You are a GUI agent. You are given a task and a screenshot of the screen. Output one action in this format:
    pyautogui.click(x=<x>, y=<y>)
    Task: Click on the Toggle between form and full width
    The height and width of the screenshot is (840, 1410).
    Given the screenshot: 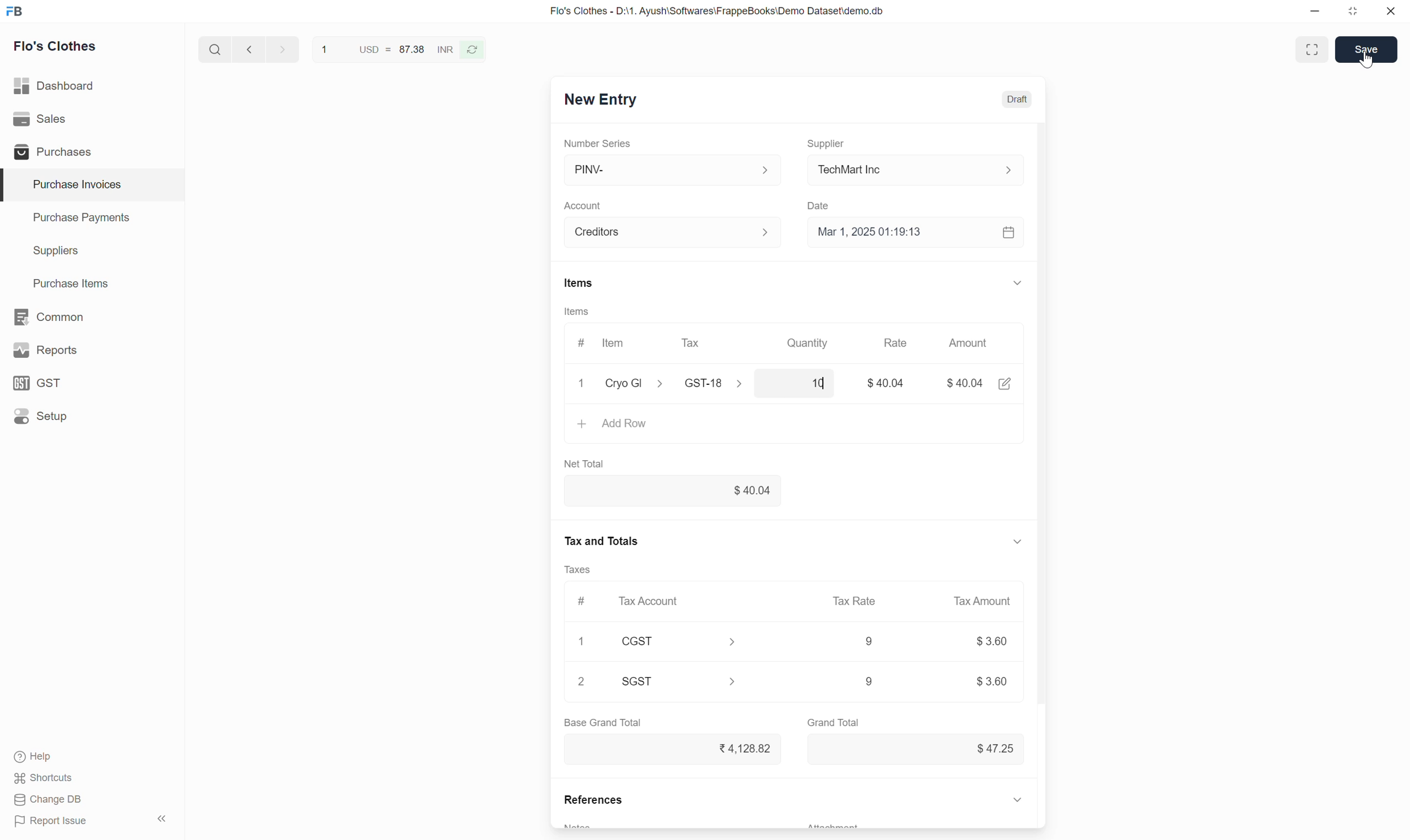 What is the action you would take?
    pyautogui.click(x=1311, y=49)
    